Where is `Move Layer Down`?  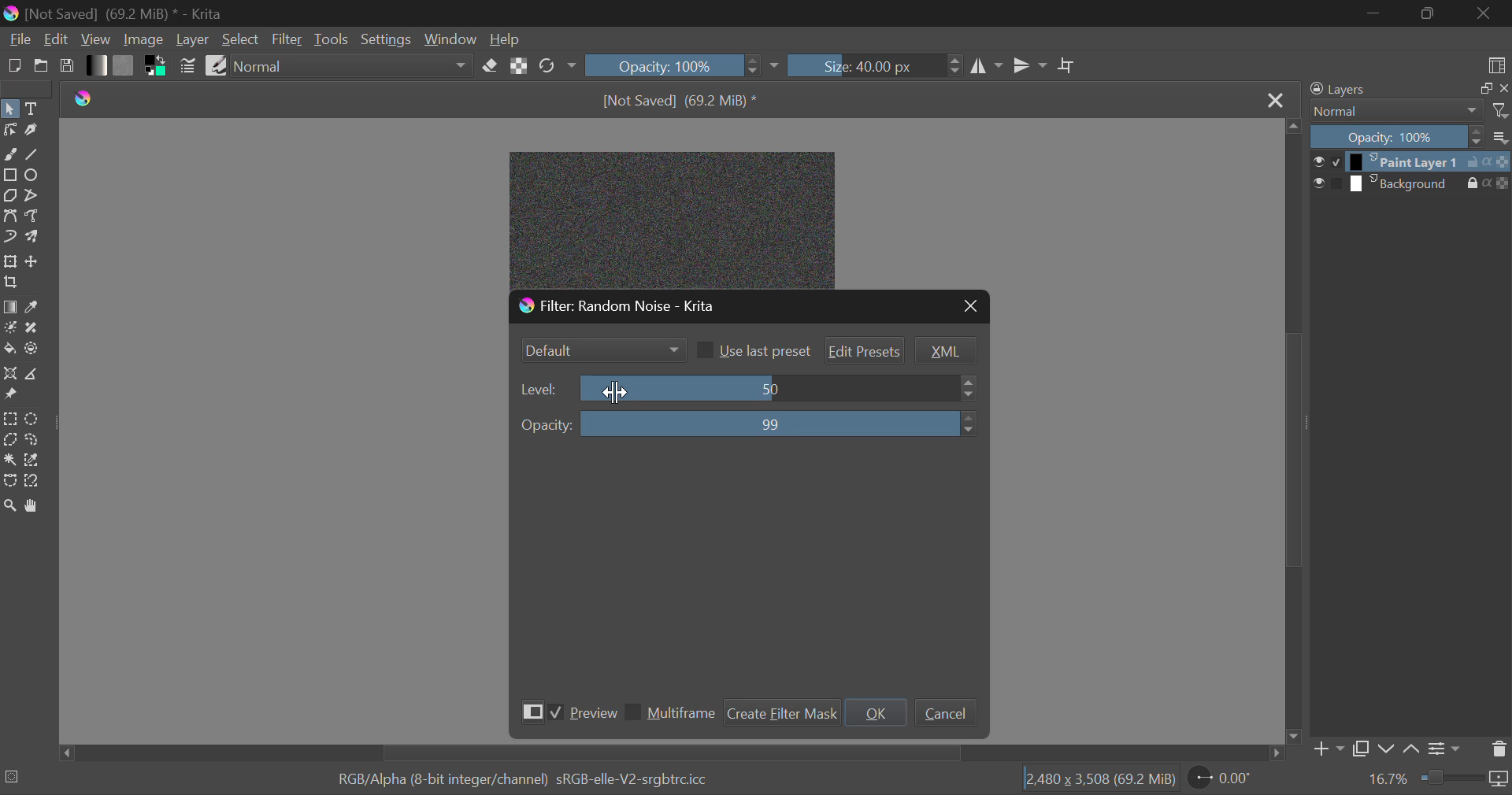 Move Layer Down is located at coordinates (1388, 747).